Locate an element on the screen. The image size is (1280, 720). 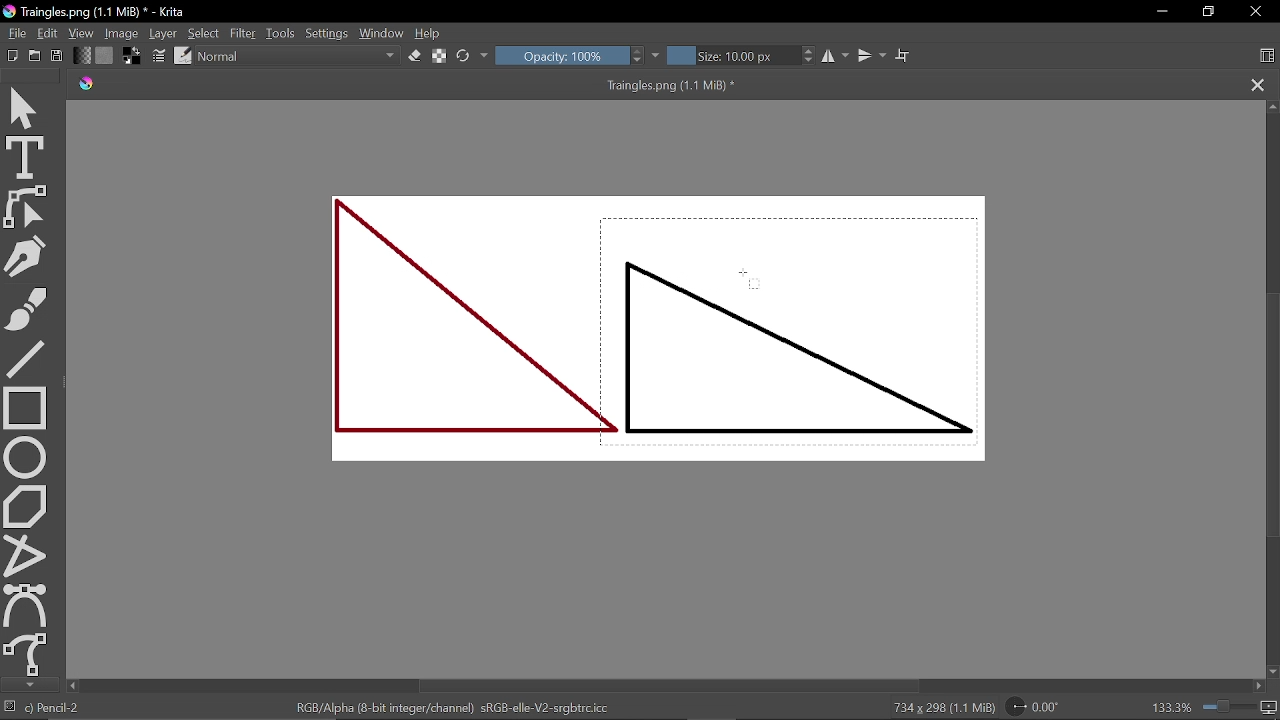
Restore down is located at coordinates (1211, 13).